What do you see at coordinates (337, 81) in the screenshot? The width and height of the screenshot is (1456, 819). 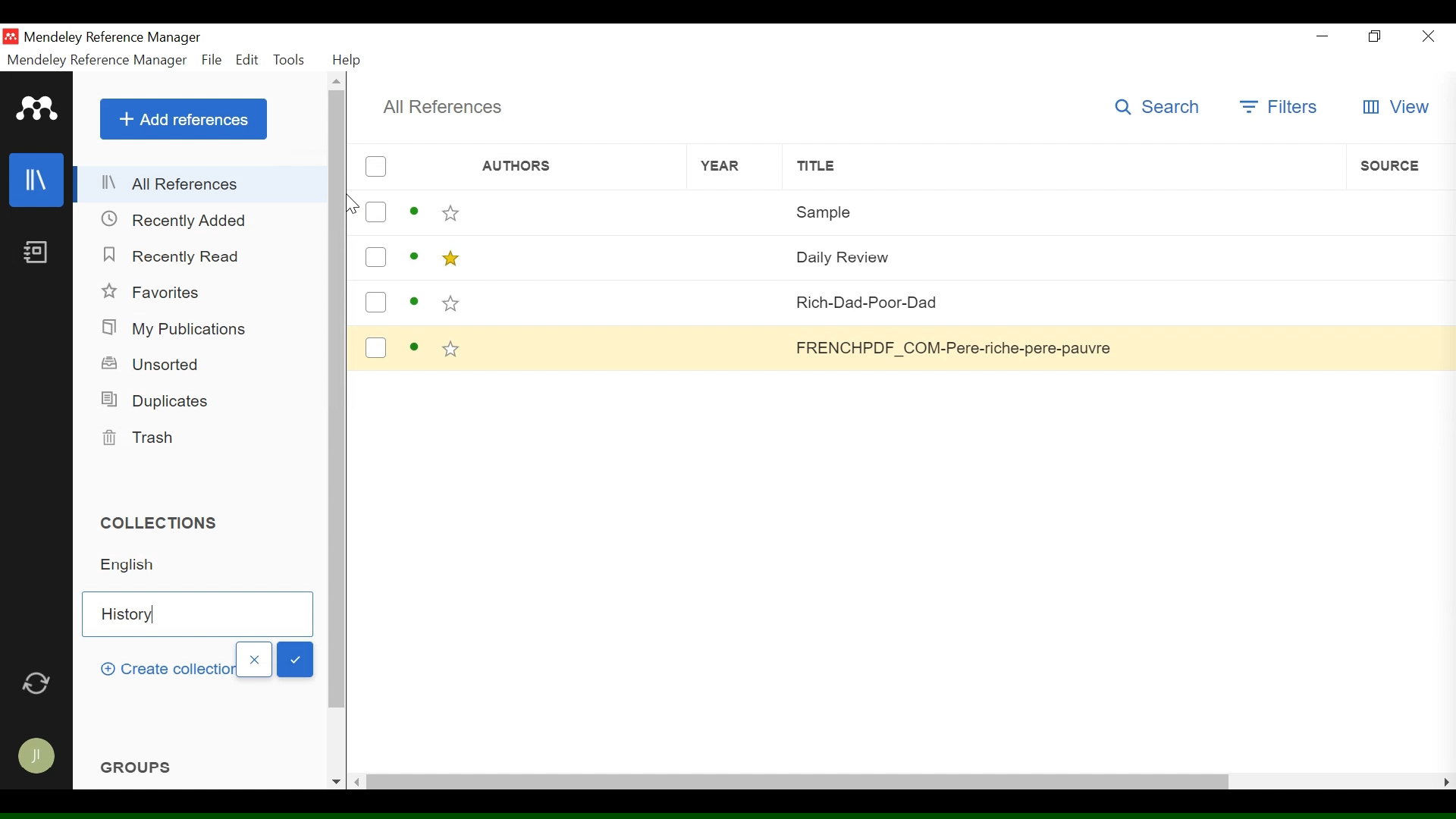 I see `Scroll up` at bounding box center [337, 81].